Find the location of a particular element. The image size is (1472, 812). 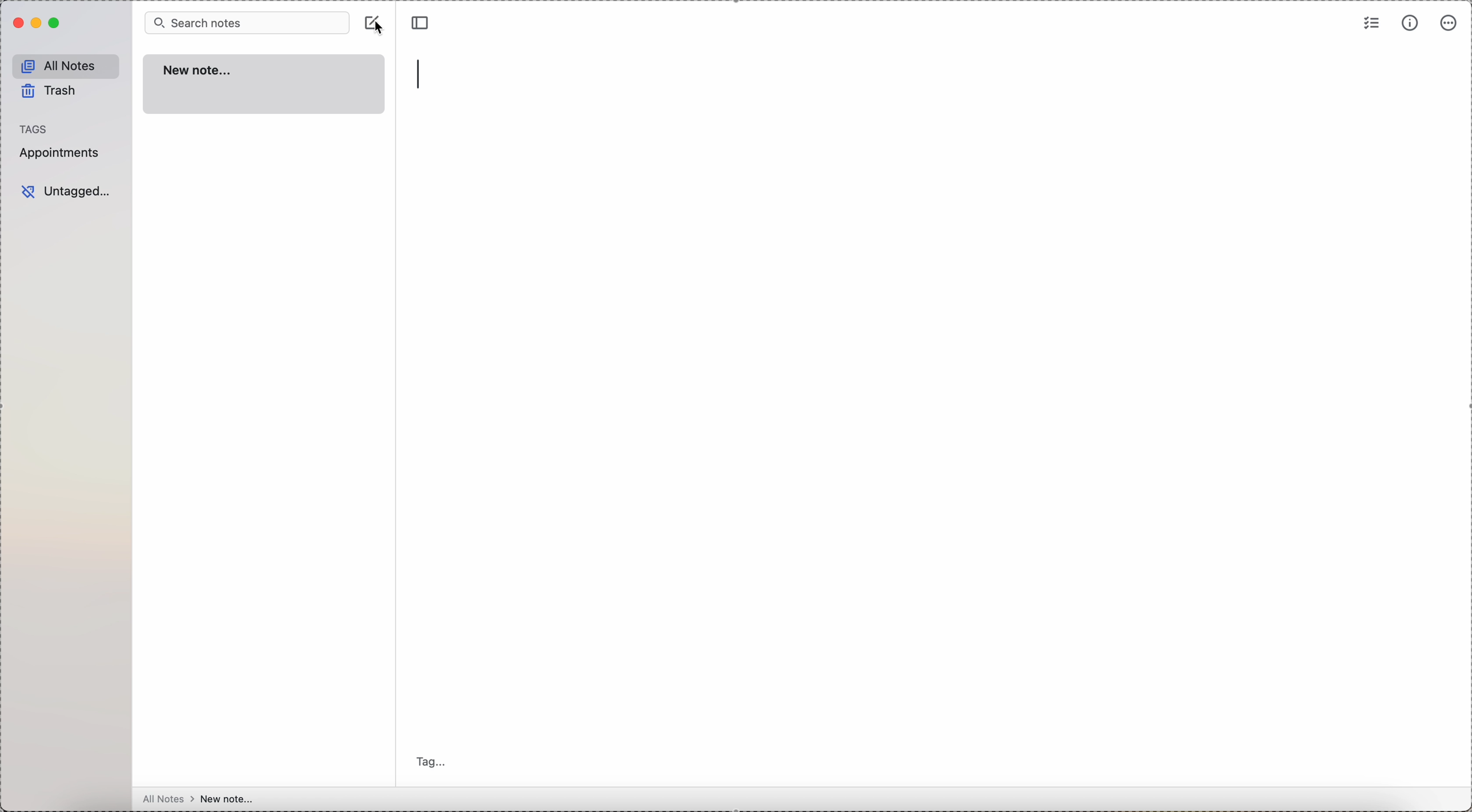

all notes is located at coordinates (63, 64).